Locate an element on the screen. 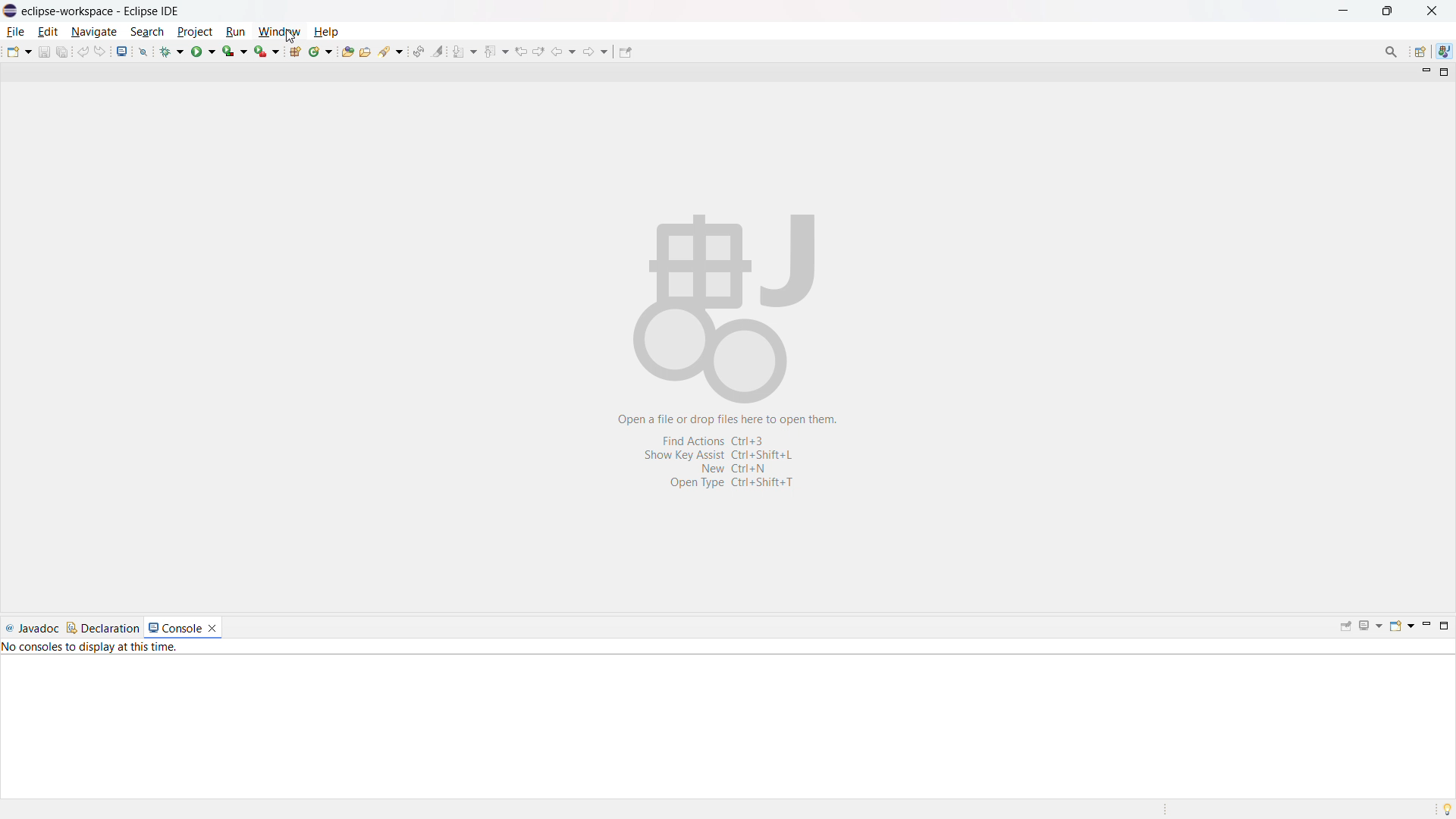 The width and height of the screenshot is (1456, 819). redo is located at coordinates (99, 50).